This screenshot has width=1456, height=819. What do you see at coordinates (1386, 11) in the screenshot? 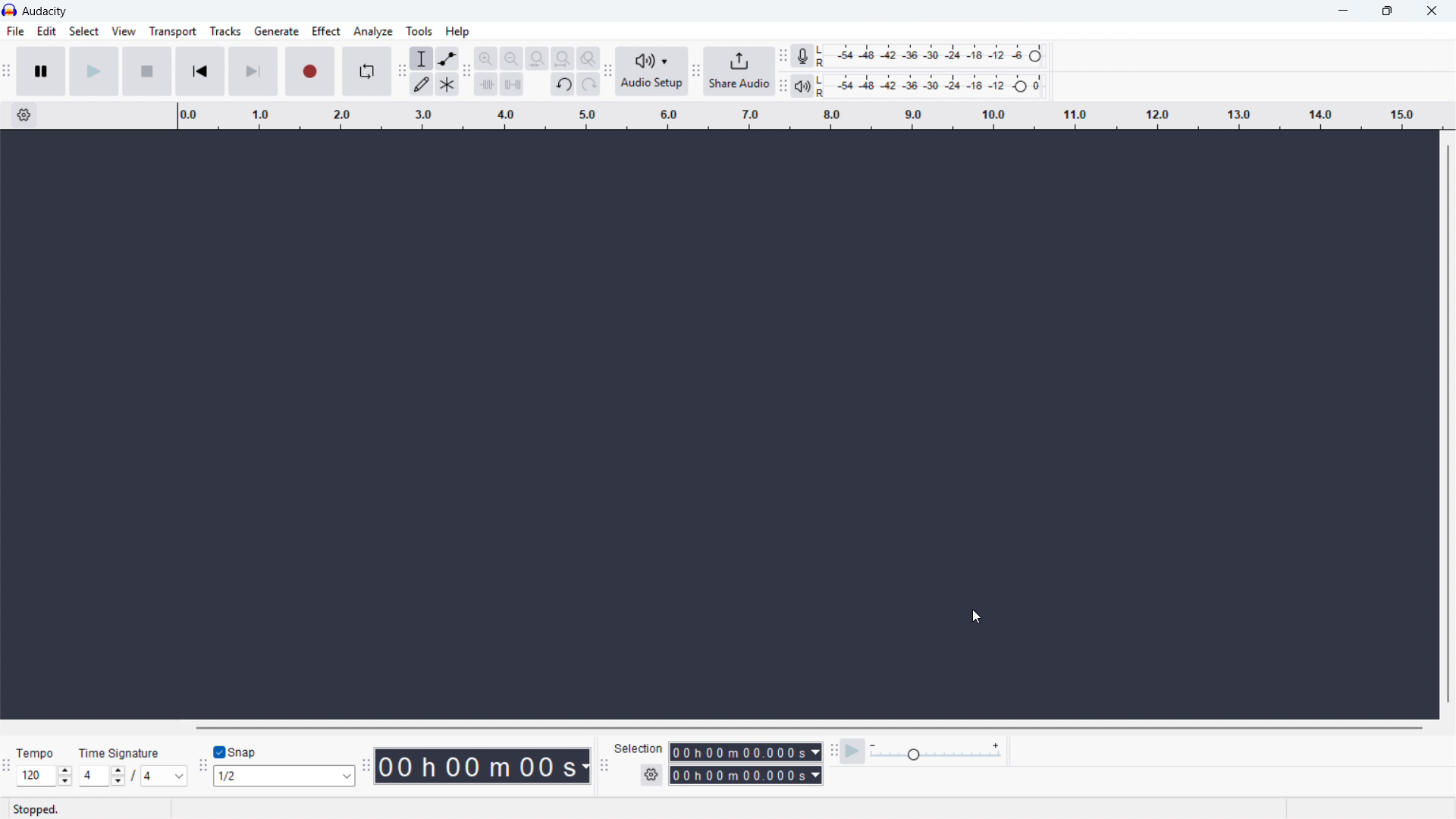
I see `maximize` at bounding box center [1386, 11].